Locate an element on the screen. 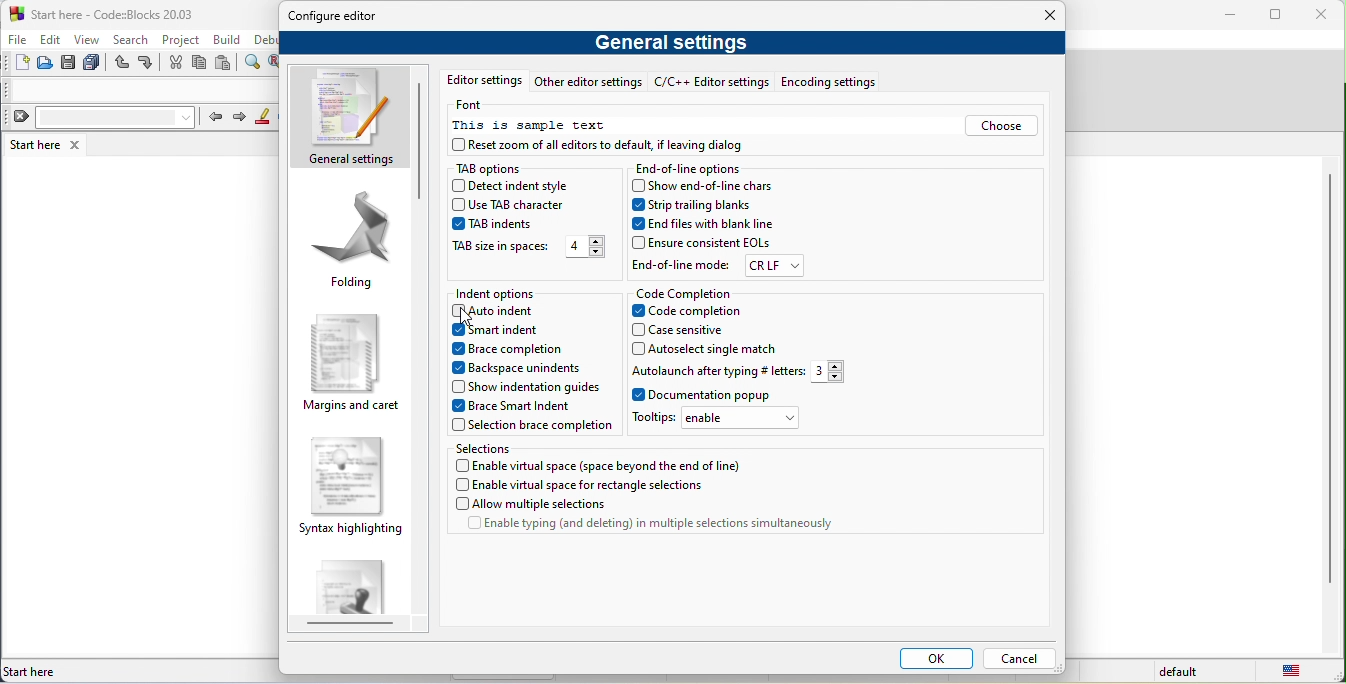 This screenshot has height=684, width=1346. default is located at coordinates (1171, 673).